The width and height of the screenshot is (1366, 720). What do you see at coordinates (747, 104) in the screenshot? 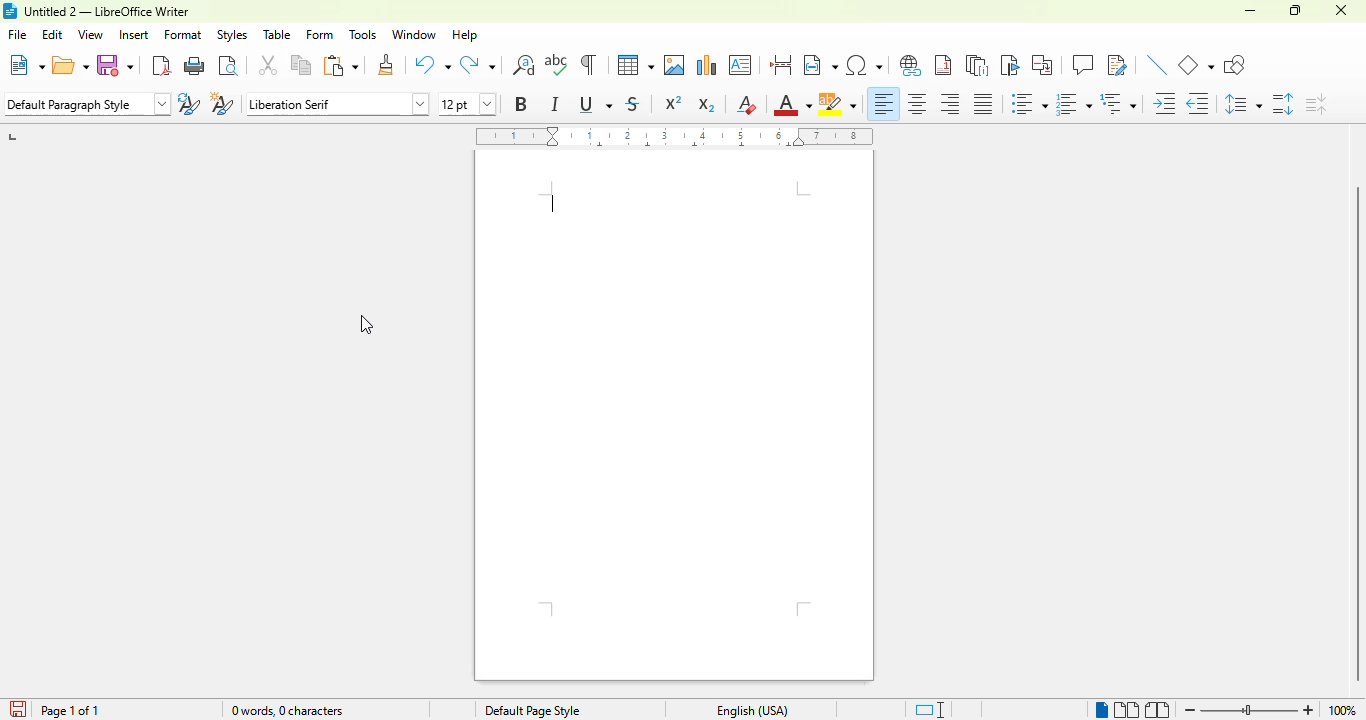
I see `clear direct formatting` at bounding box center [747, 104].